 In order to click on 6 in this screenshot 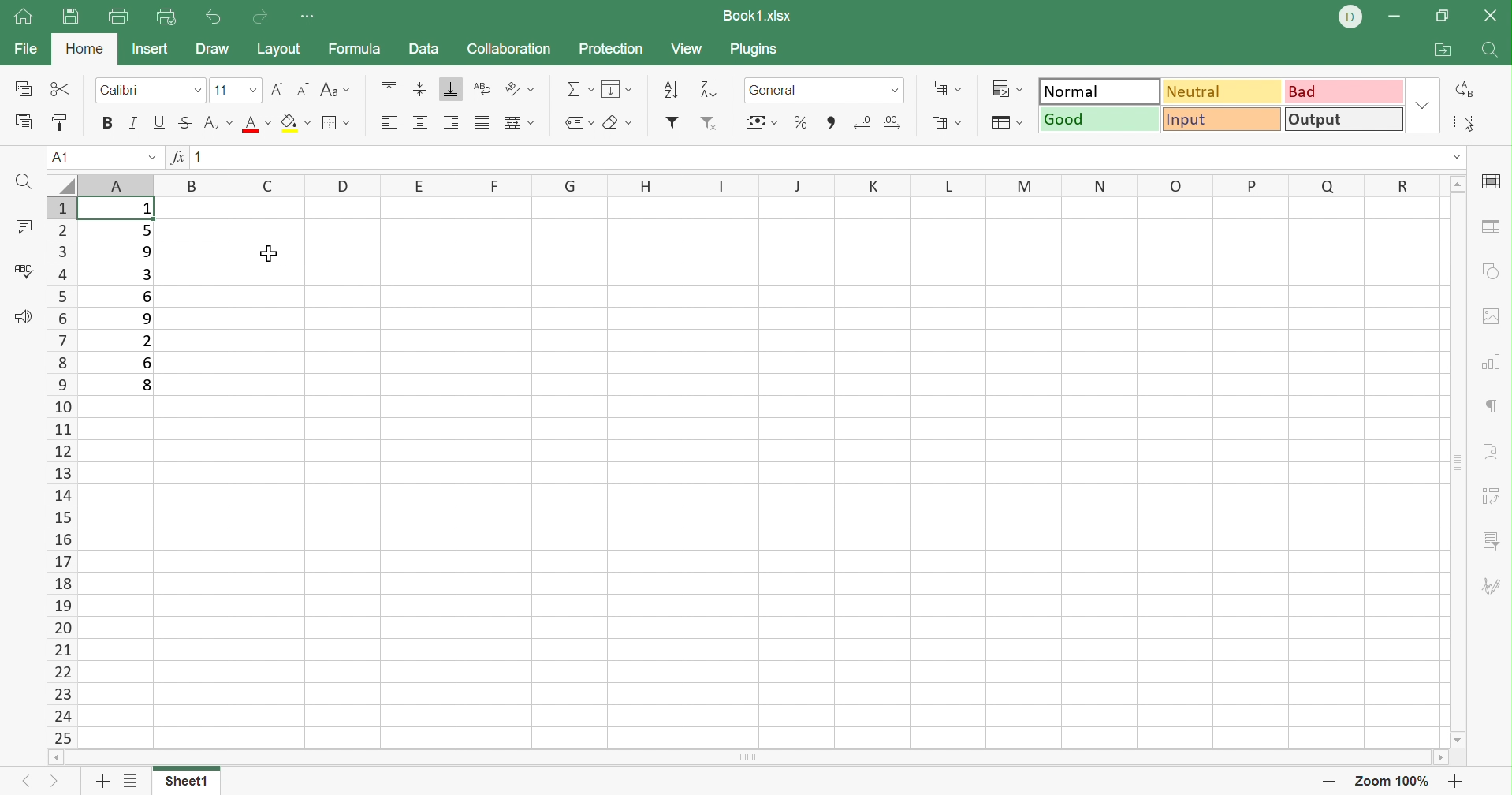, I will do `click(148, 297)`.